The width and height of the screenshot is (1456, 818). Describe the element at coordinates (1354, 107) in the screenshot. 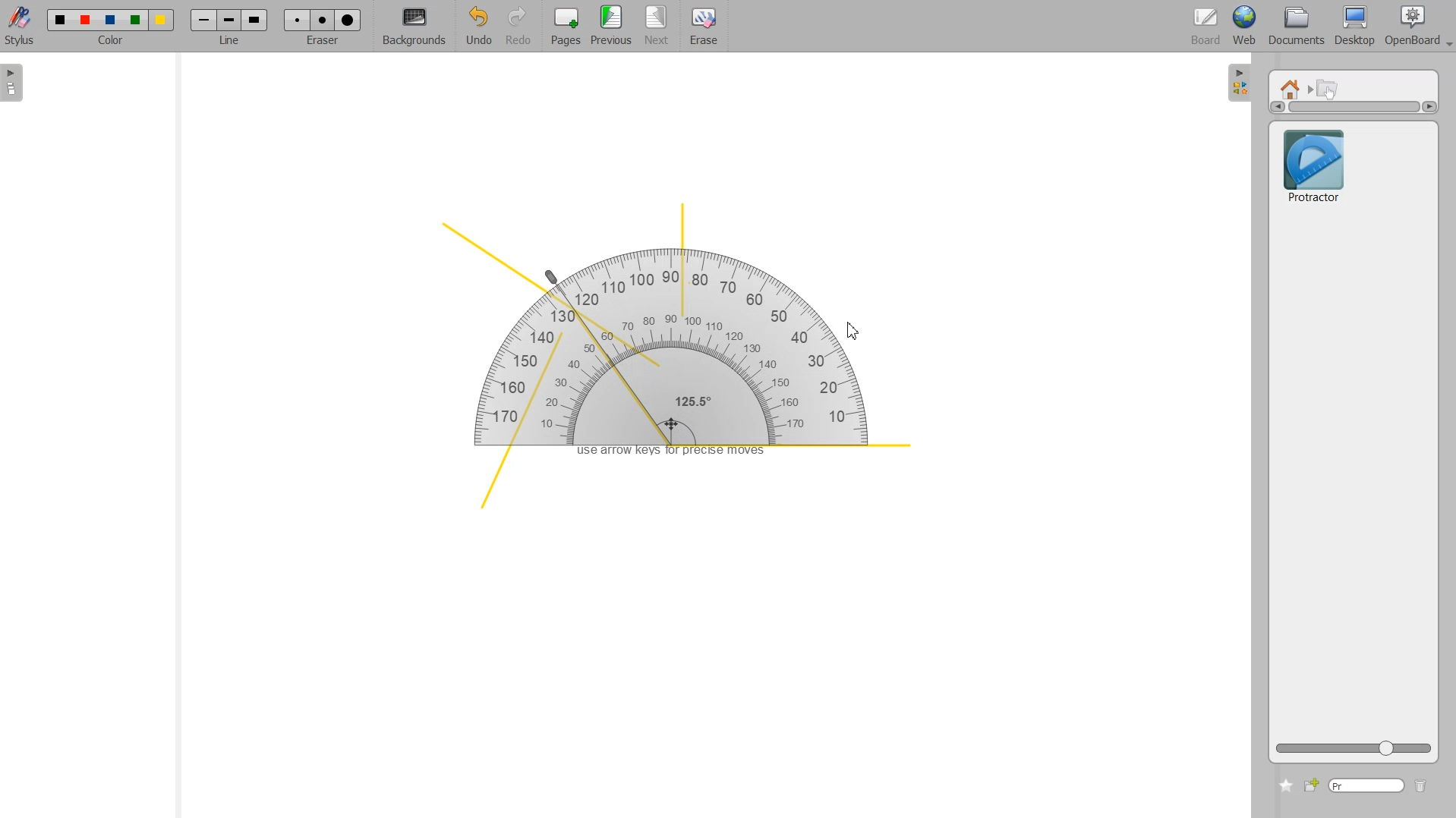

I see `Vertical scrollbar` at that location.